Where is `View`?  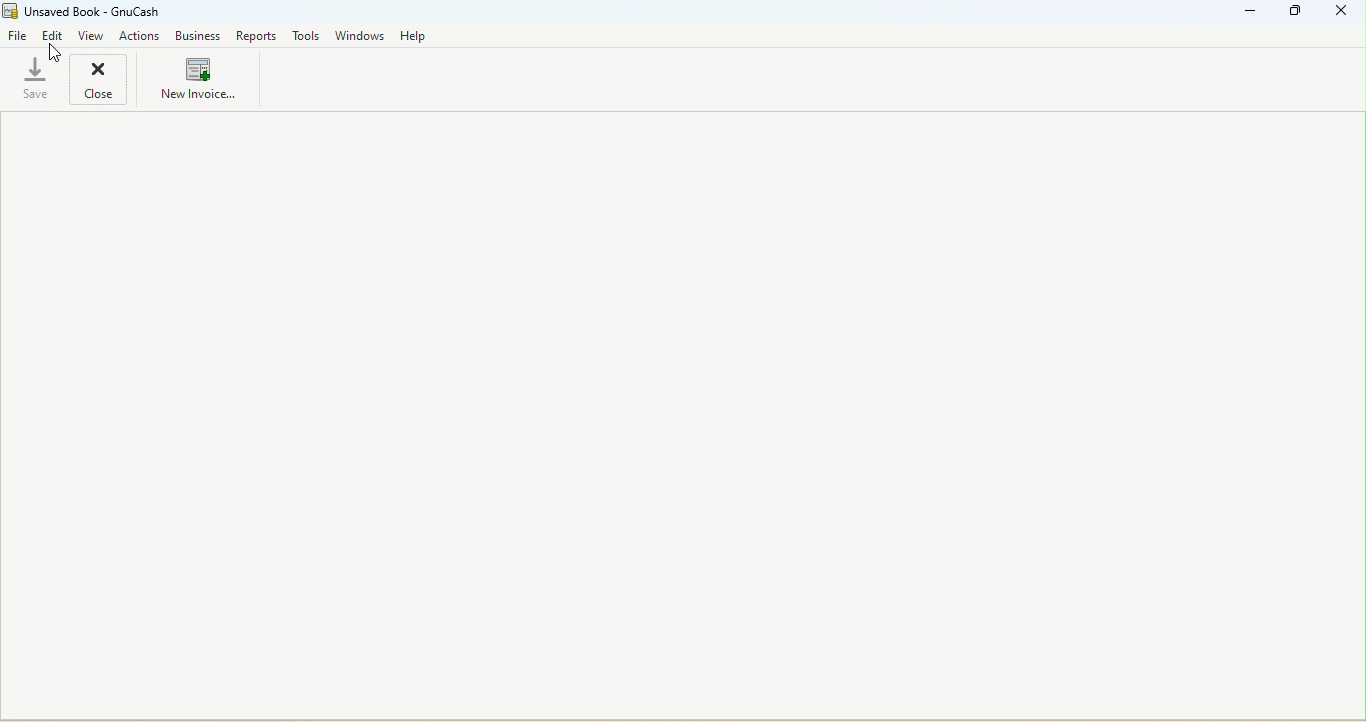 View is located at coordinates (89, 36).